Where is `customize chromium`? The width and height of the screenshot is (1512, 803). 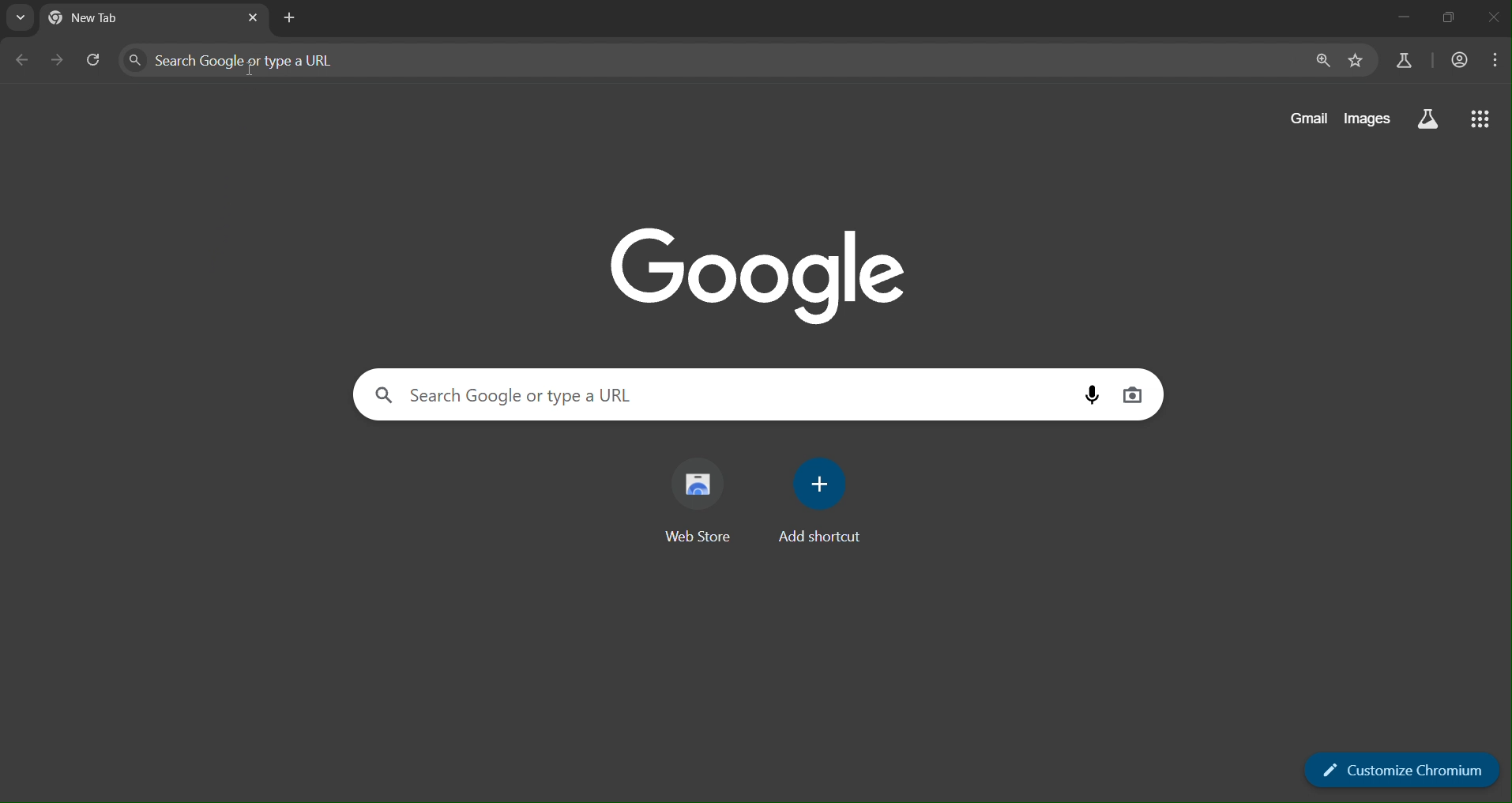
customize chromium is located at coordinates (1397, 770).